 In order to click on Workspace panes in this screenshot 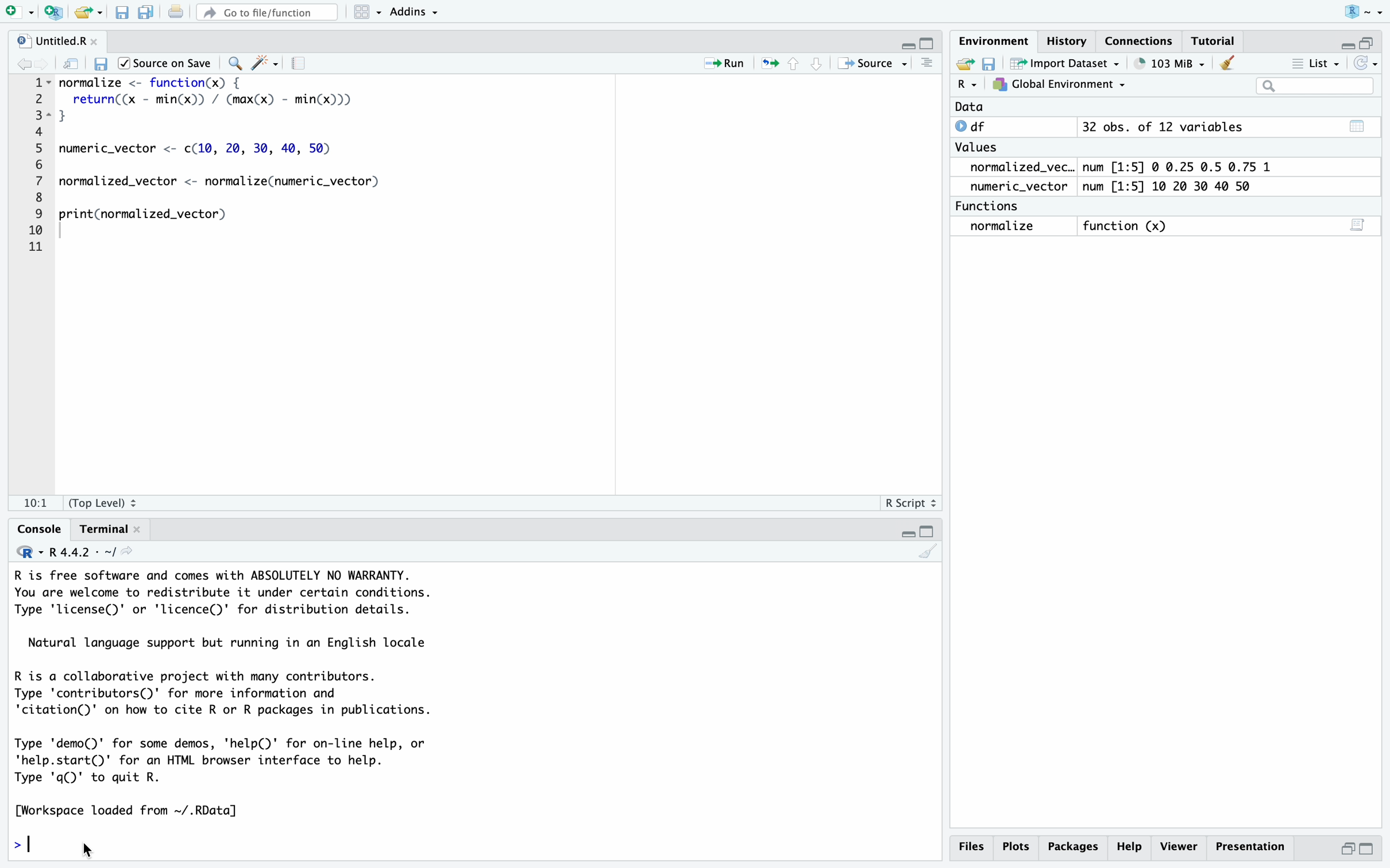, I will do `click(366, 14)`.